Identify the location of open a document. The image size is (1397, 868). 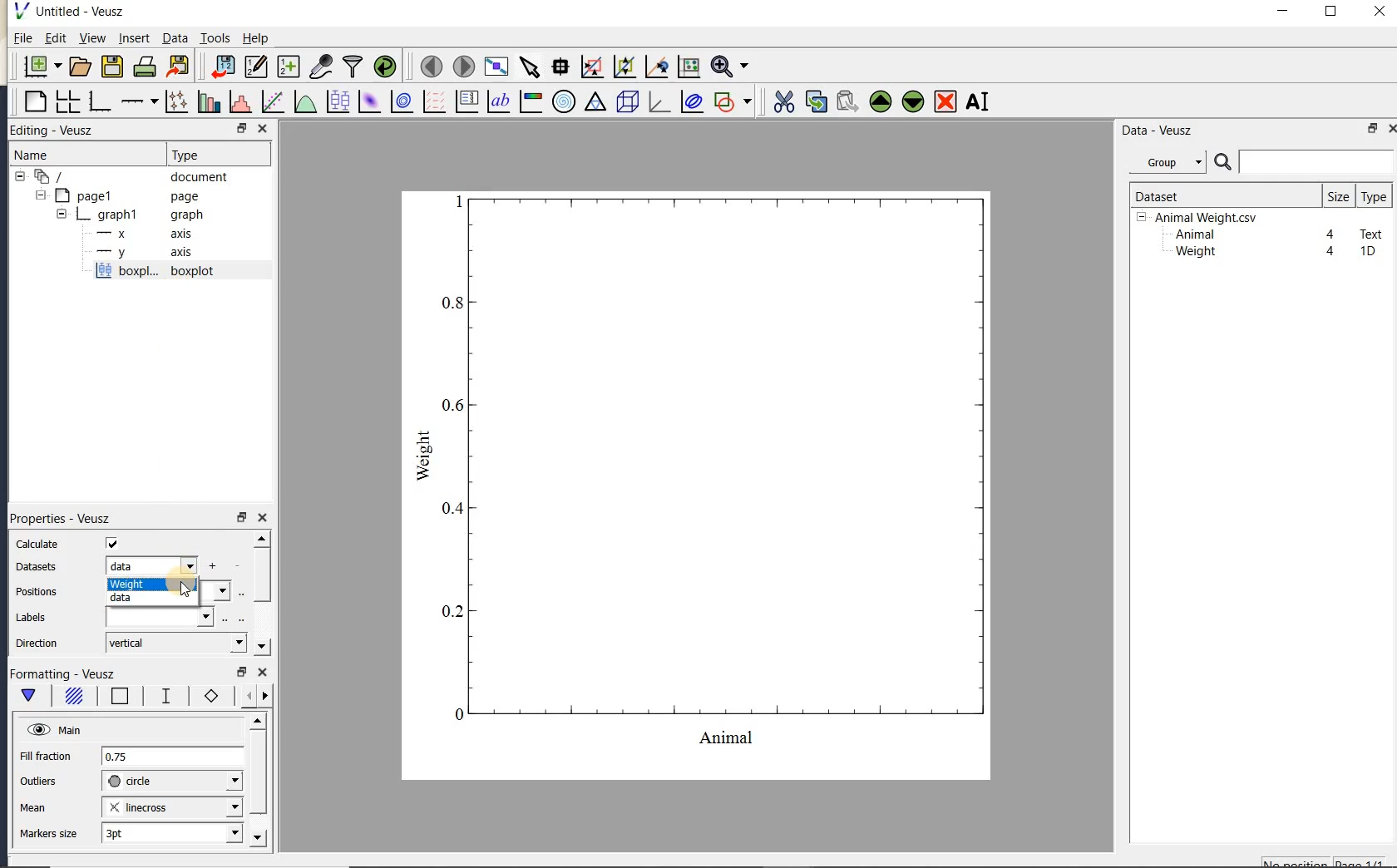
(78, 67).